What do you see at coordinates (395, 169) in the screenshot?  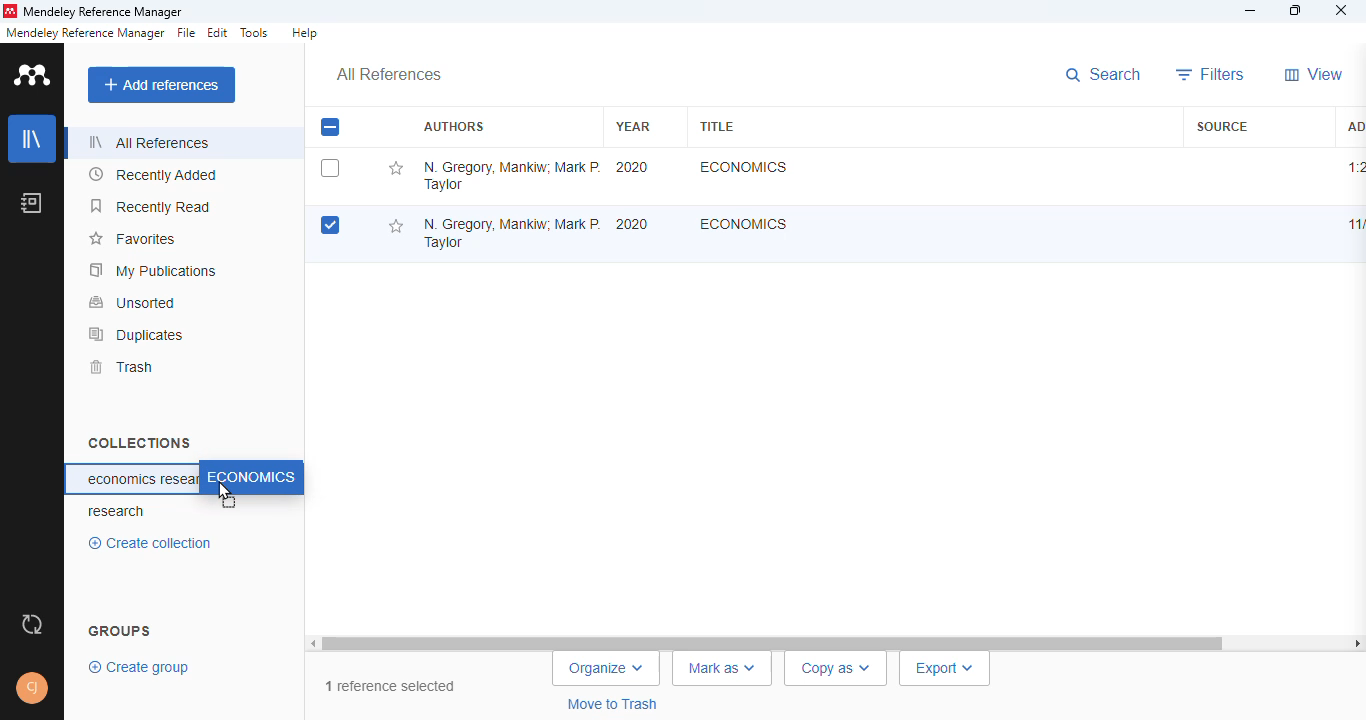 I see `add this reference to favorites` at bounding box center [395, 169].